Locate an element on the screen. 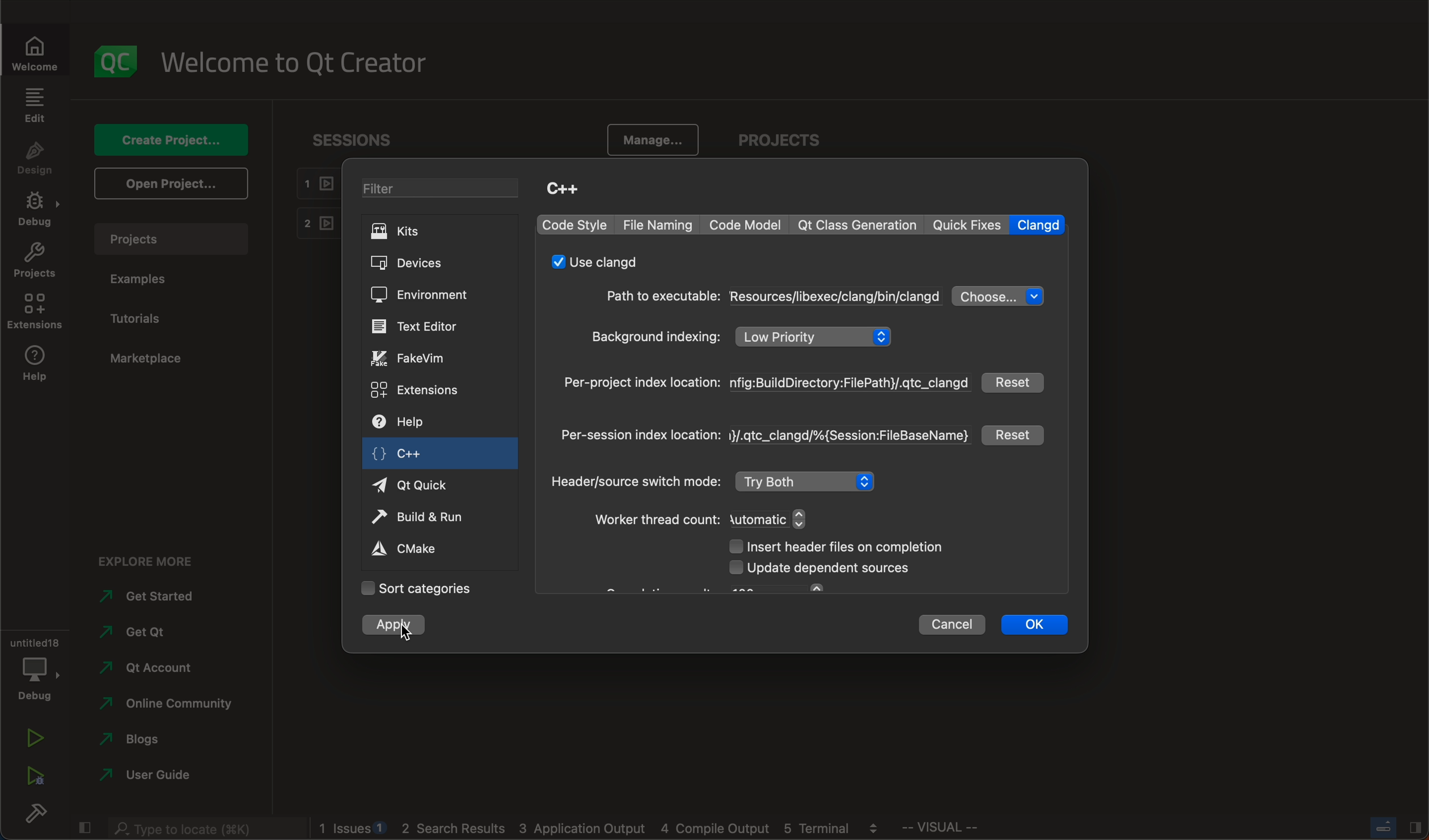 The image size is (1429, 840). extensions is located at coordinates (418, 390).